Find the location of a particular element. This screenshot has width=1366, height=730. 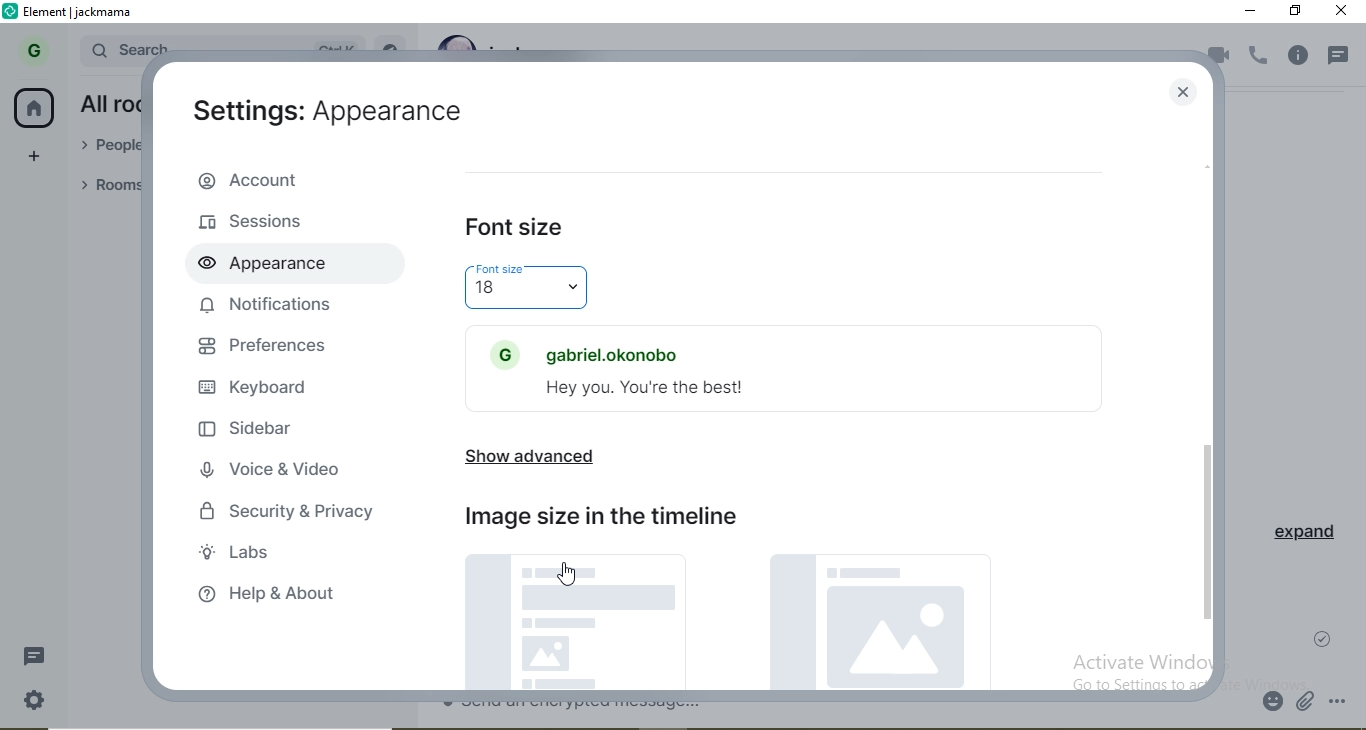

logo is located at coordinates (12, 12).